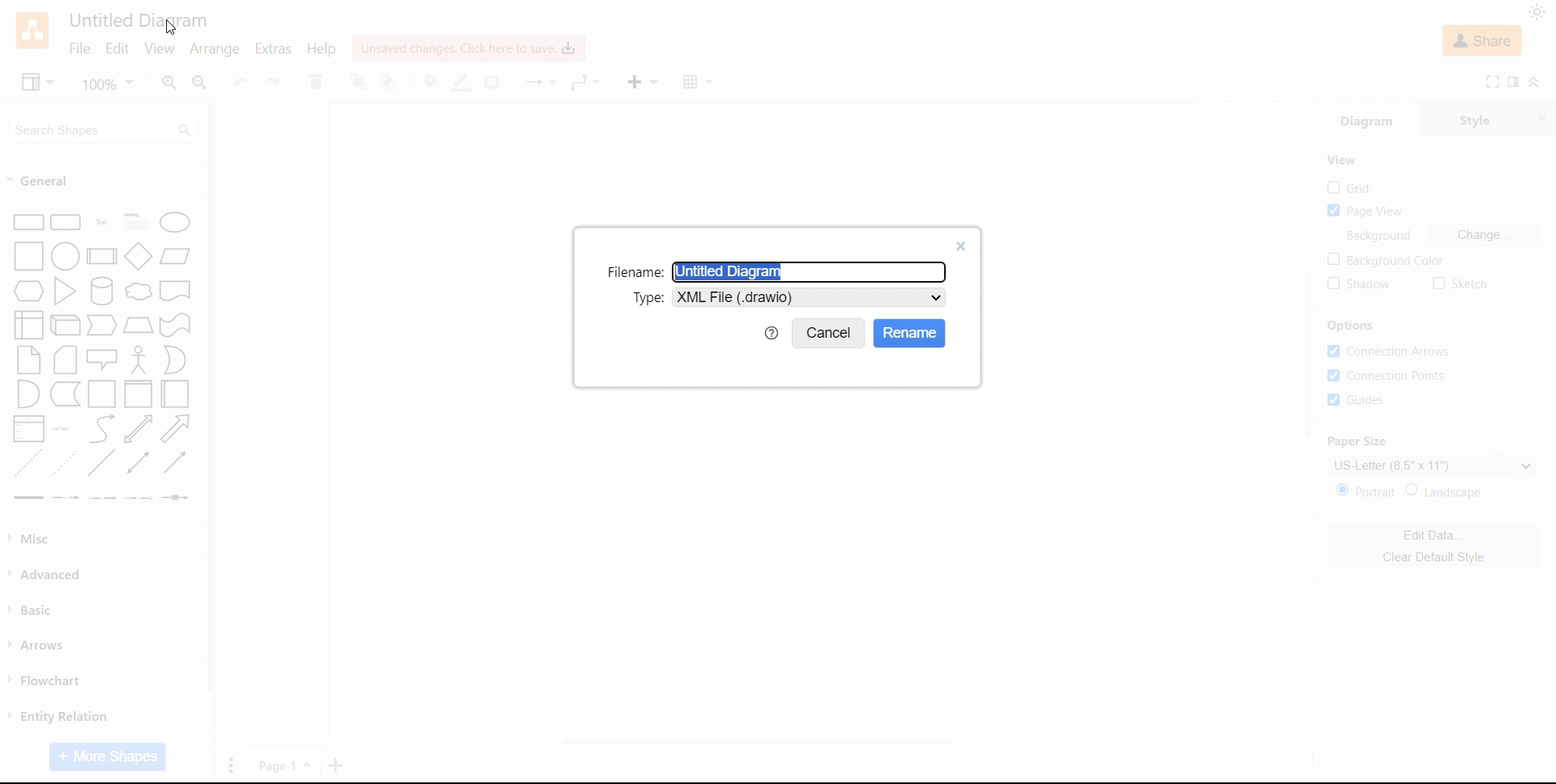  What do you see at coordinates (463, 83) in the screenshot?
I see `Line colour ` at bounding box center [463, 83].